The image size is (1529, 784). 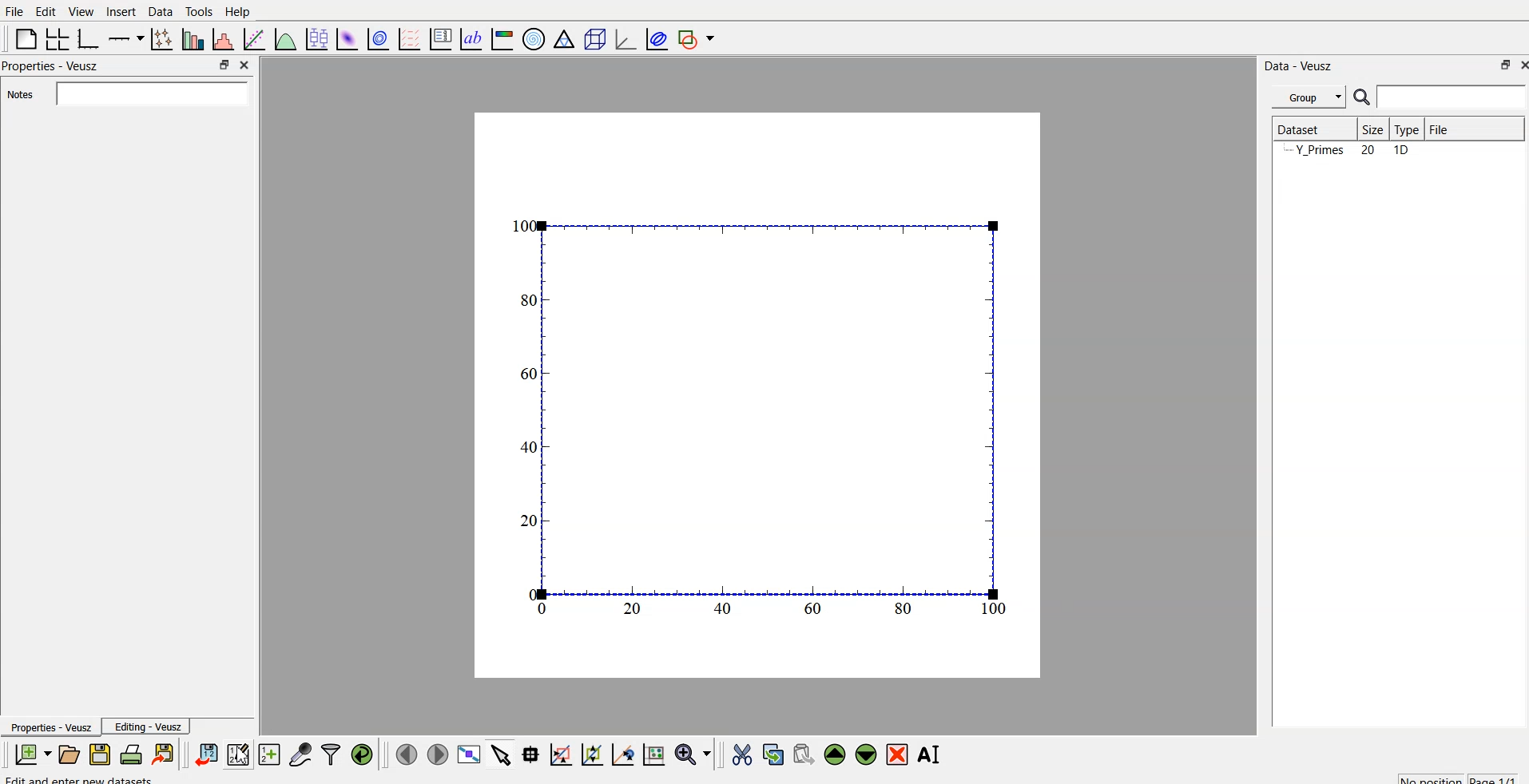 I want to click on search icon, so click(x=1364, y=99).